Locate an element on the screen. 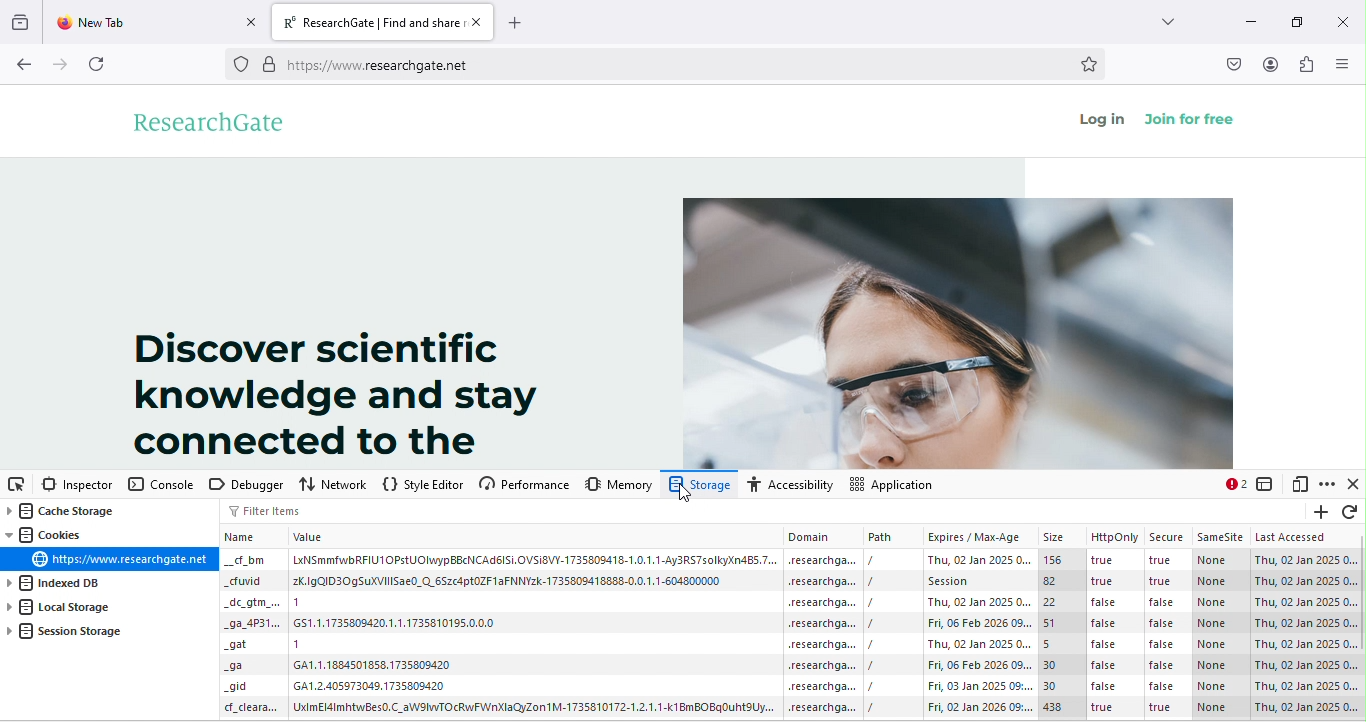 This screenshot has width=1366, height=722.  is located at coordinates (251, 601).